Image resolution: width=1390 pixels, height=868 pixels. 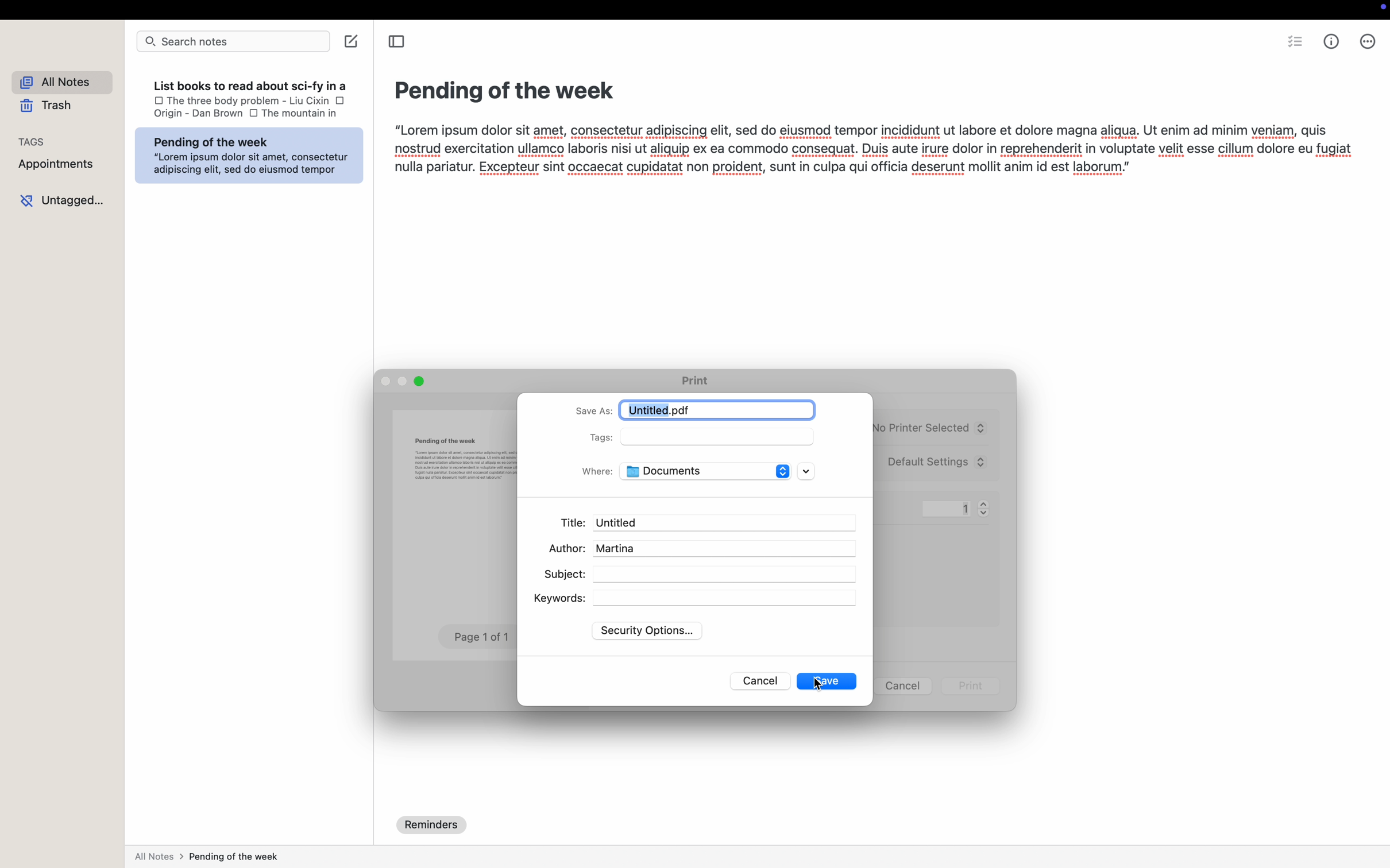 I want to click on tags, so click(x=600, y=437).